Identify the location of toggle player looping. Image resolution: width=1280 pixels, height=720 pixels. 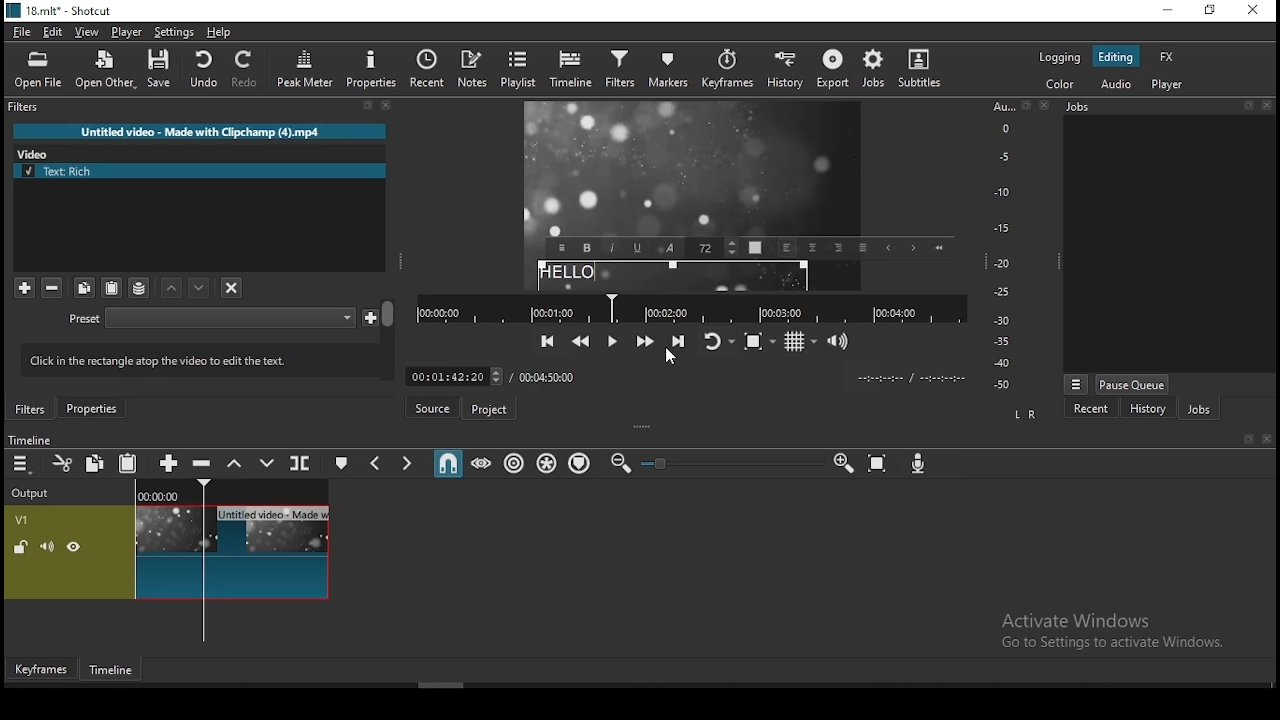
(721, 341).